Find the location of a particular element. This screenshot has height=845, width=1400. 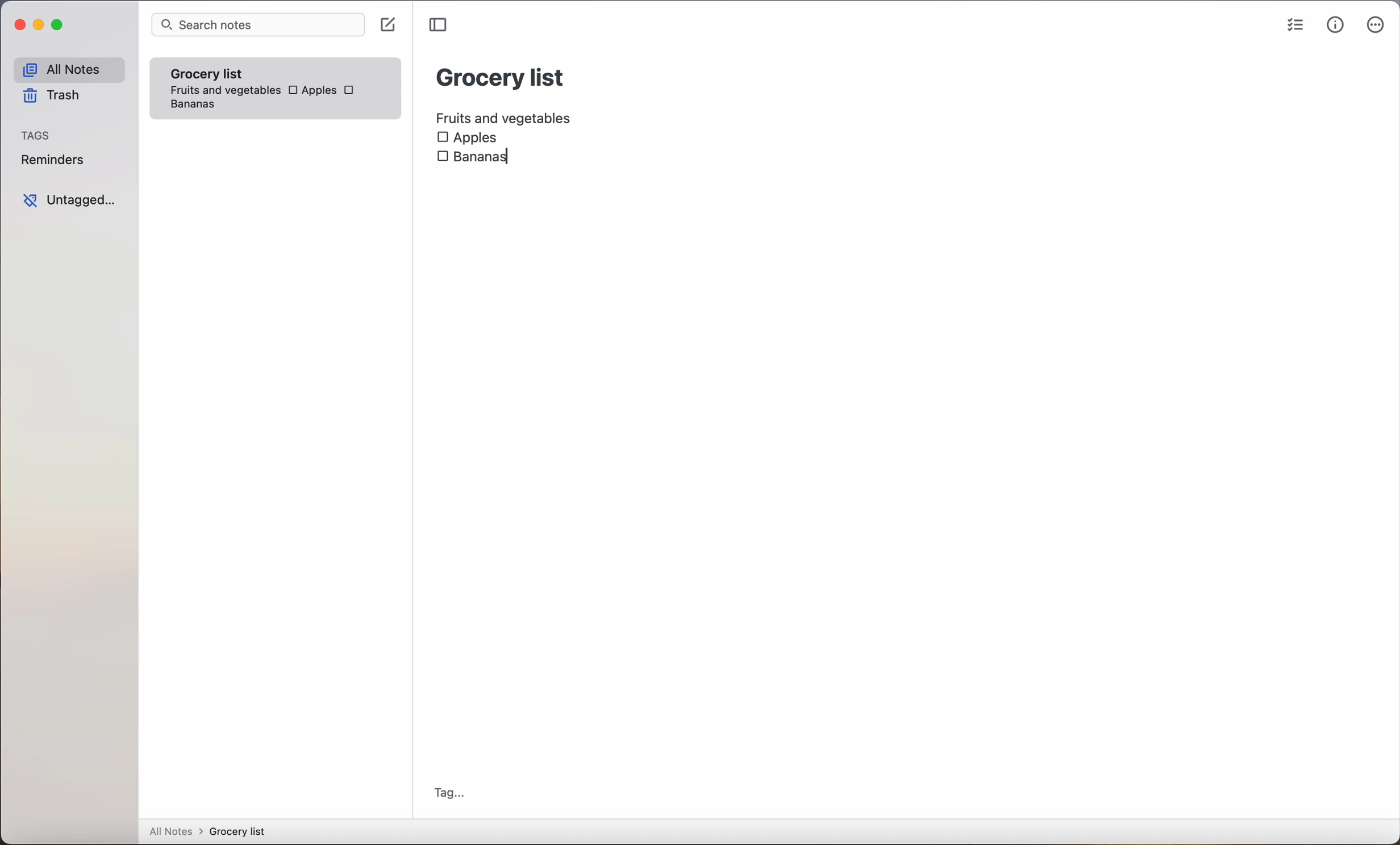

checkbox is located at coordinates (352, 92).